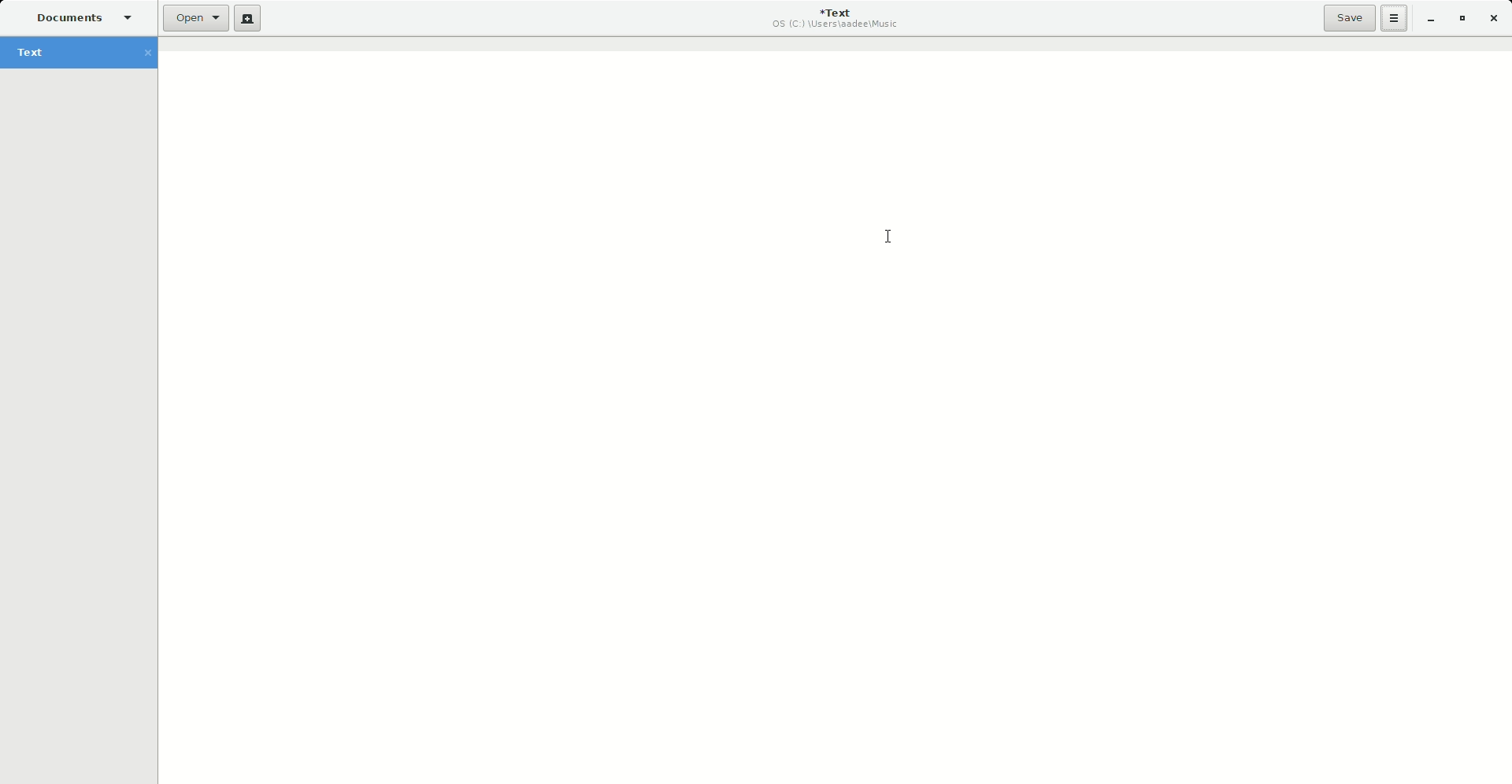 This screenshot has height=784, width=1512. Describe the element at coordinates (1430, 18) in the screenshot. I see `Minimize` at that location.